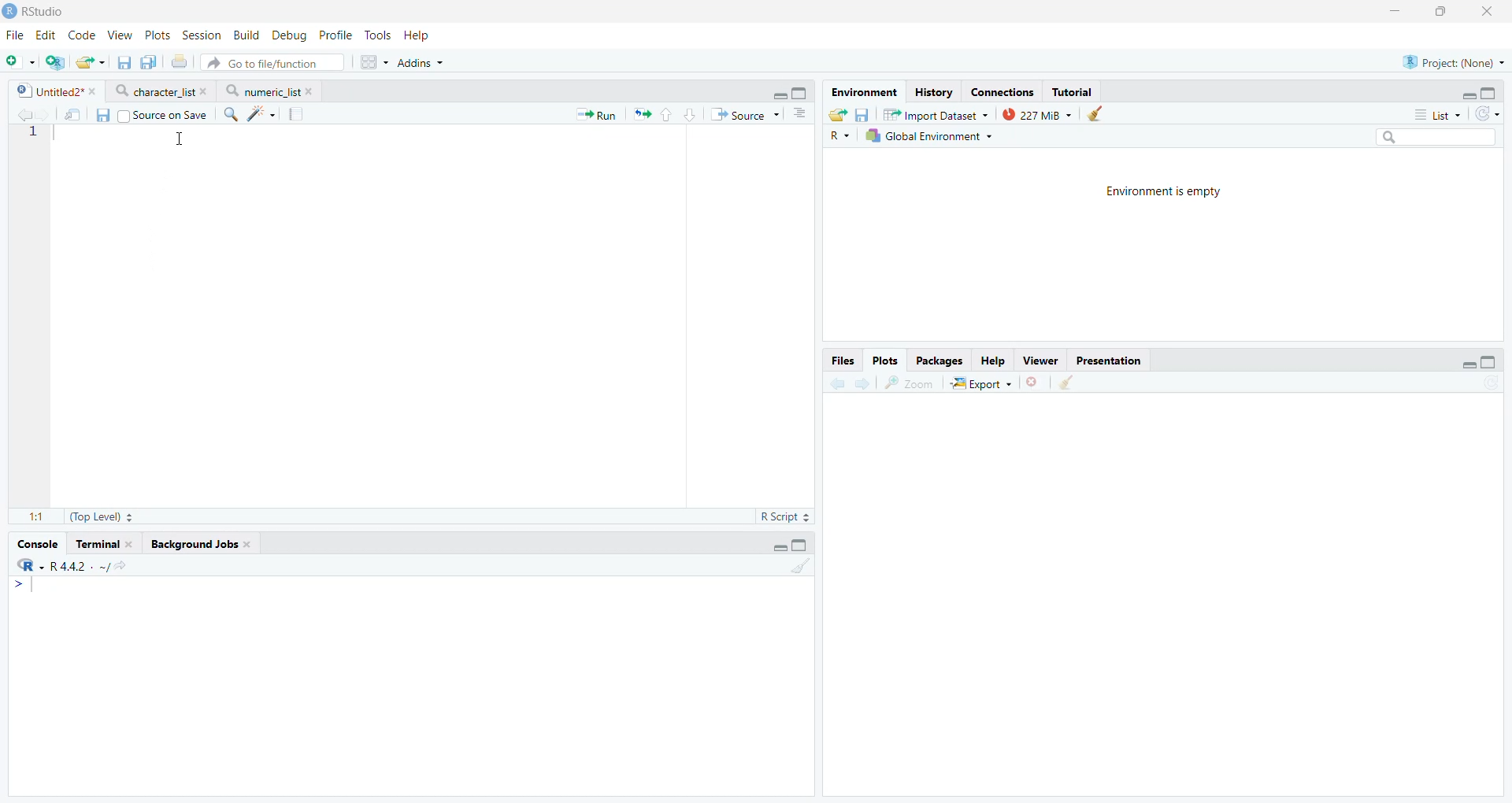 This screenshot has width=1512, height=803. Describe the element at coordinates (381, 35) in the screenshot. I see `Tools` at that location.